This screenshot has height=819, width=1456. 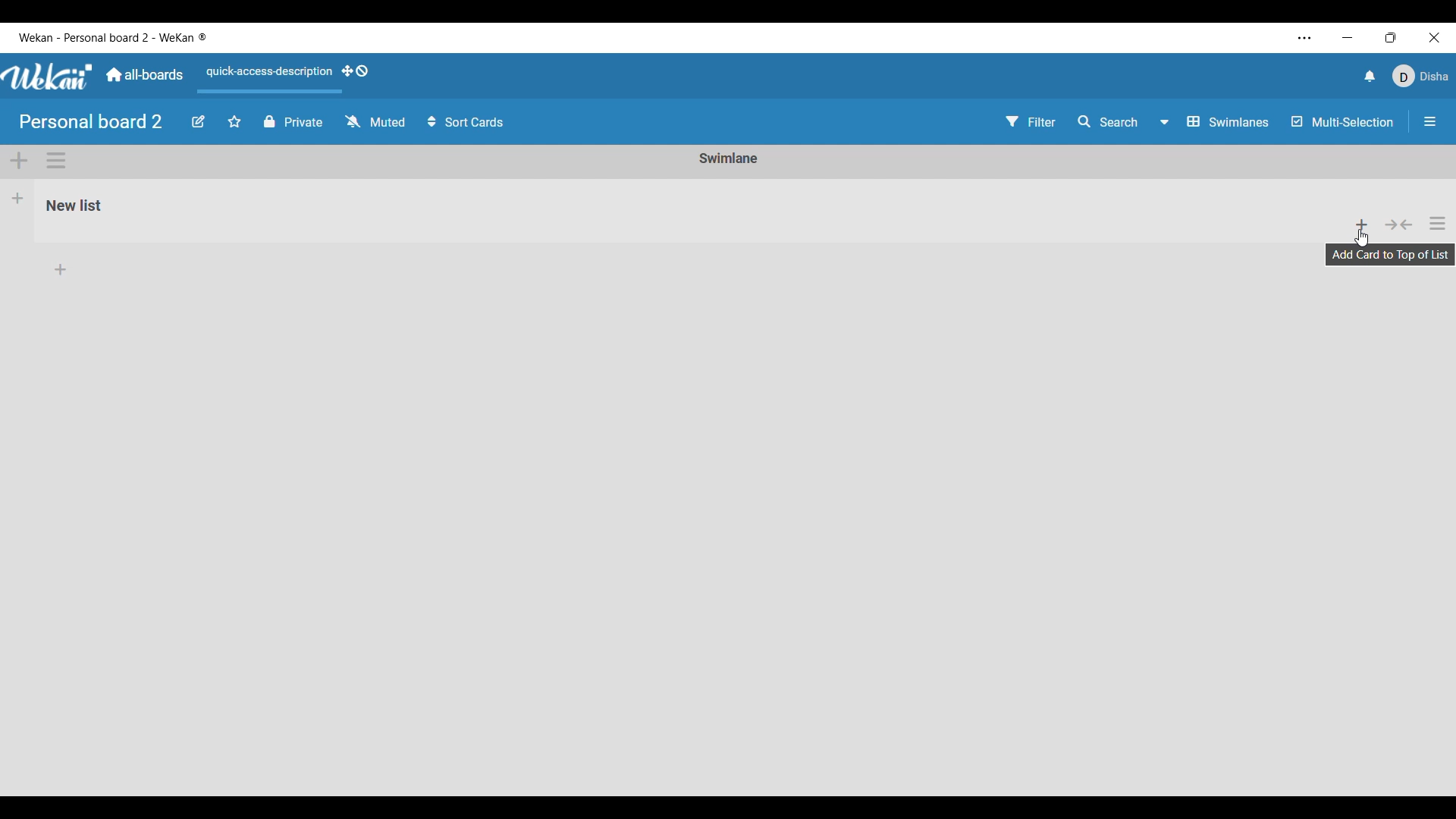 I want to click on Edit, so click(x=199, y=122).